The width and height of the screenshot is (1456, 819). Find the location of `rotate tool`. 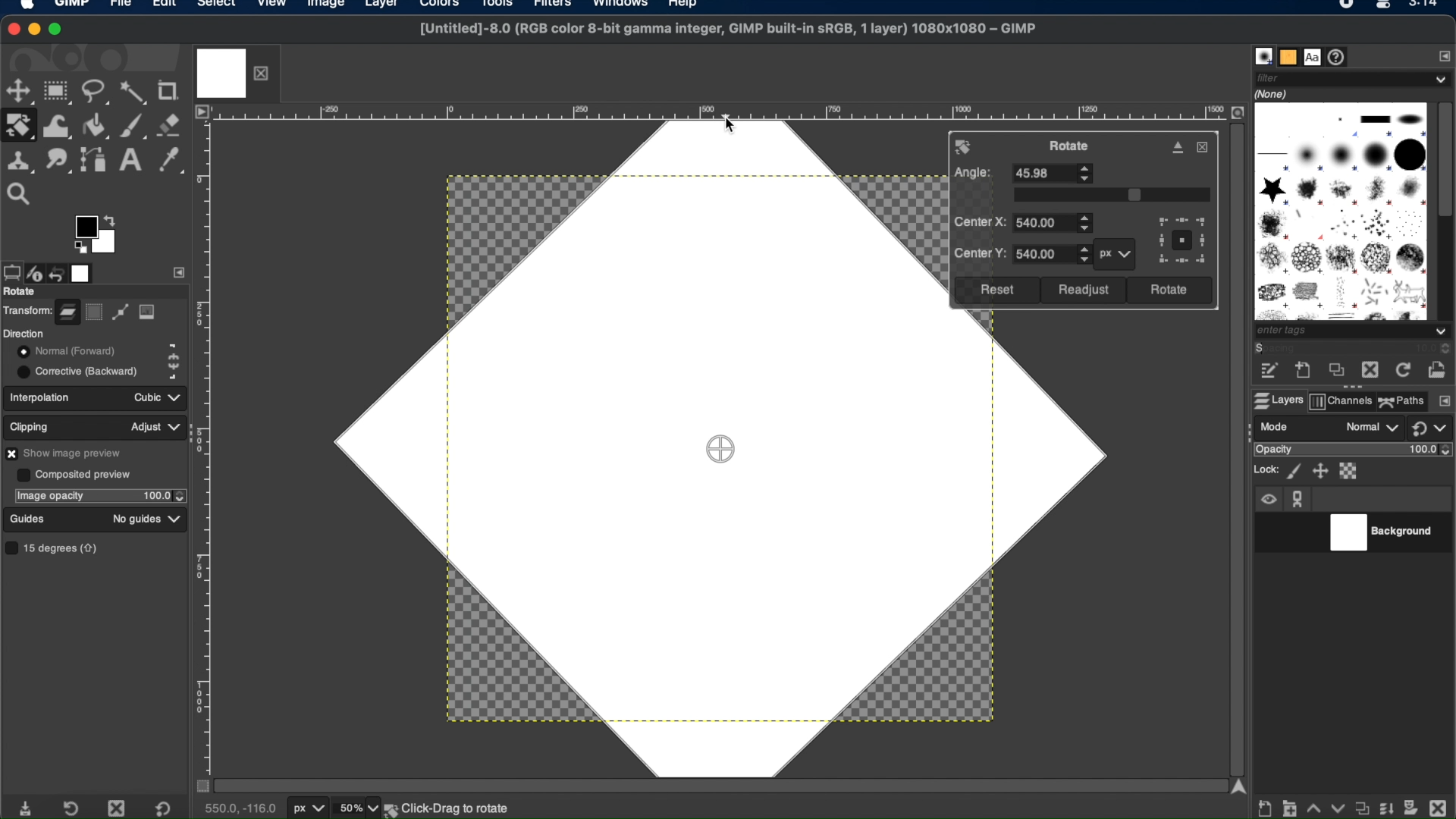

rotate tool is located at coordinates (20, 125).